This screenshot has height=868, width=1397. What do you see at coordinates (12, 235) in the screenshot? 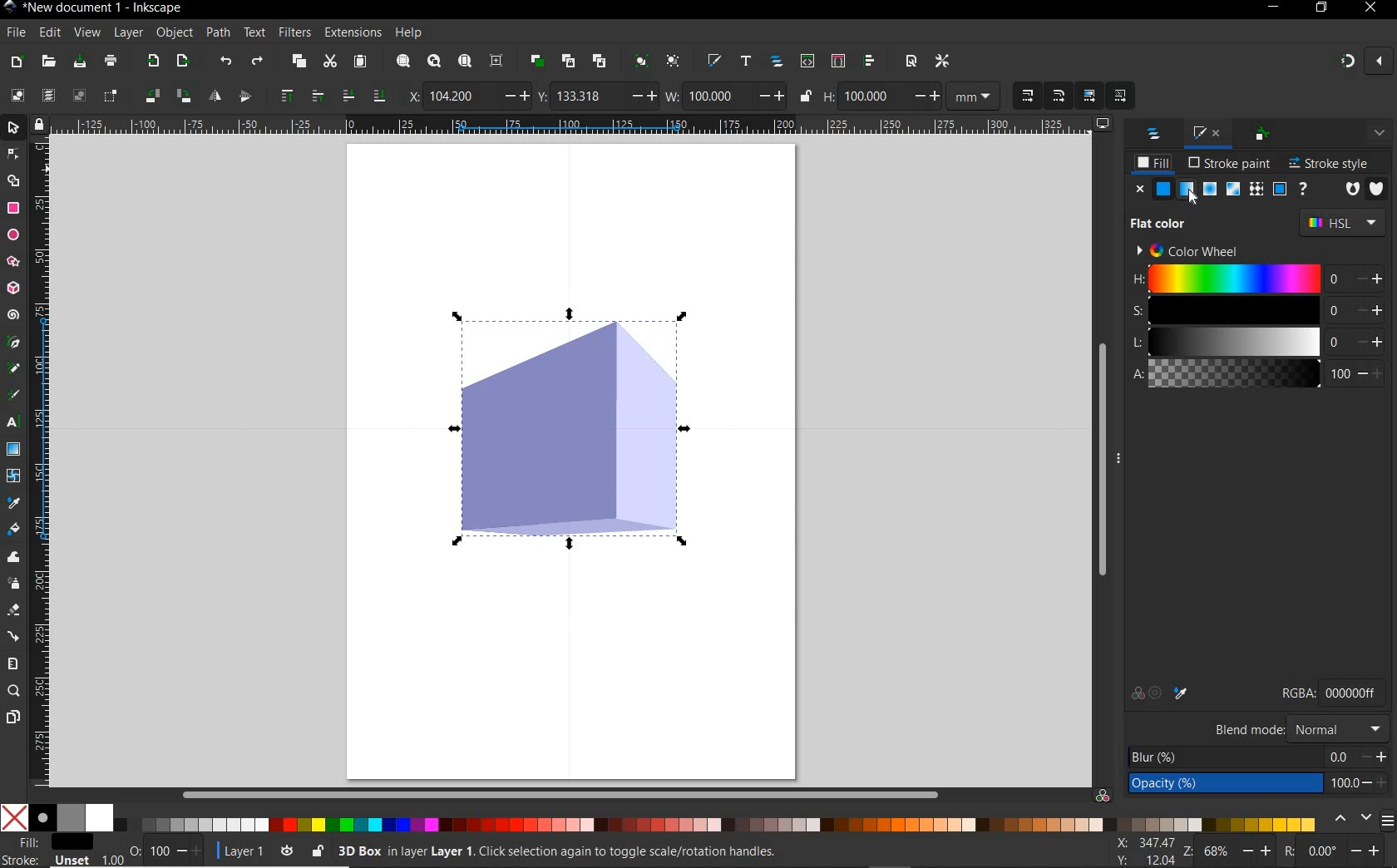
I see `ELLIPSE` at bounding box center [12, 235].